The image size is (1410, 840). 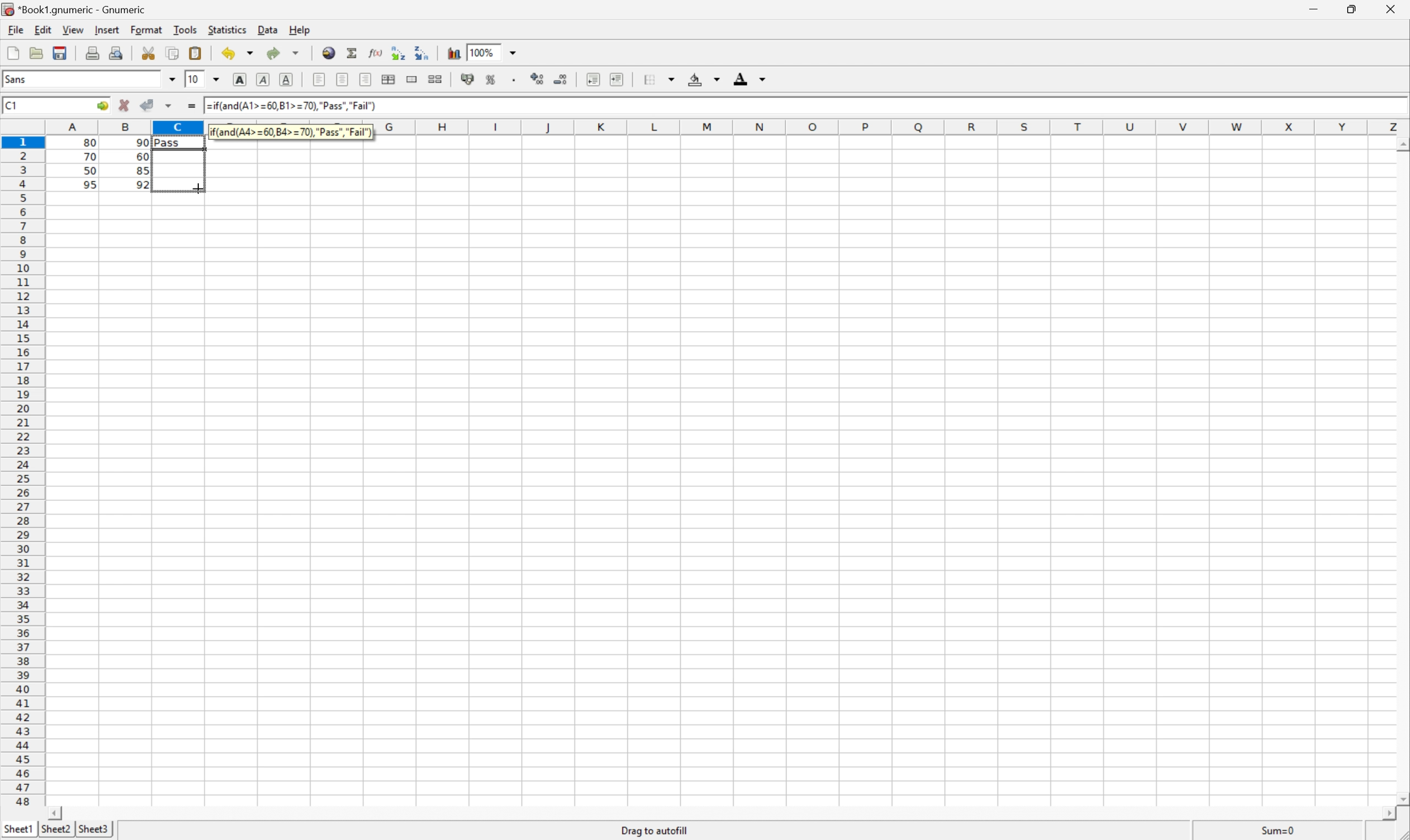 What do you see at coordinates (659, 76) in the screenshot?
I see `Borders` at bounding box center [659, 76].